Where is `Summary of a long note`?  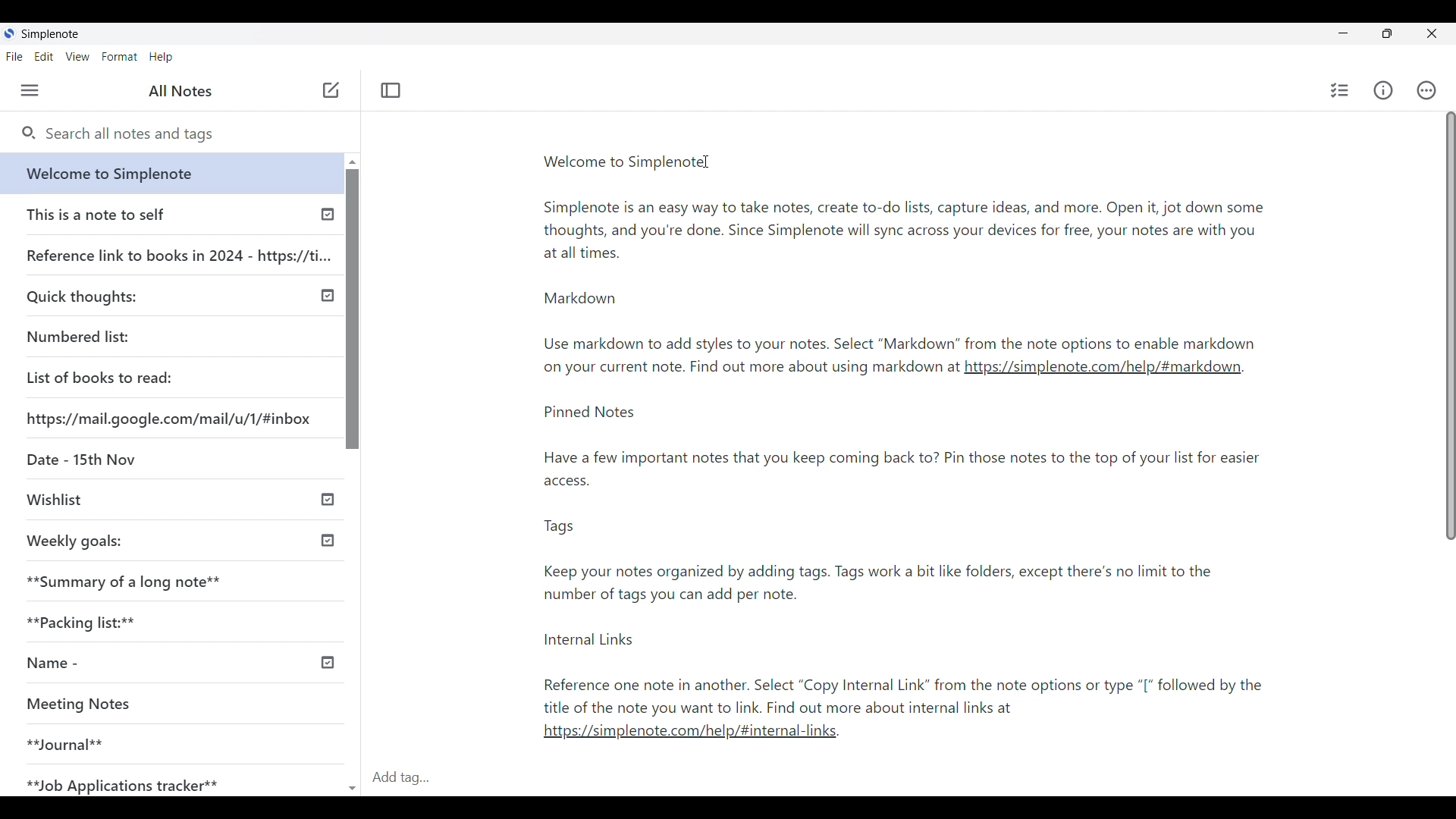
Summary of a long note is located at coordinates (125, 581).